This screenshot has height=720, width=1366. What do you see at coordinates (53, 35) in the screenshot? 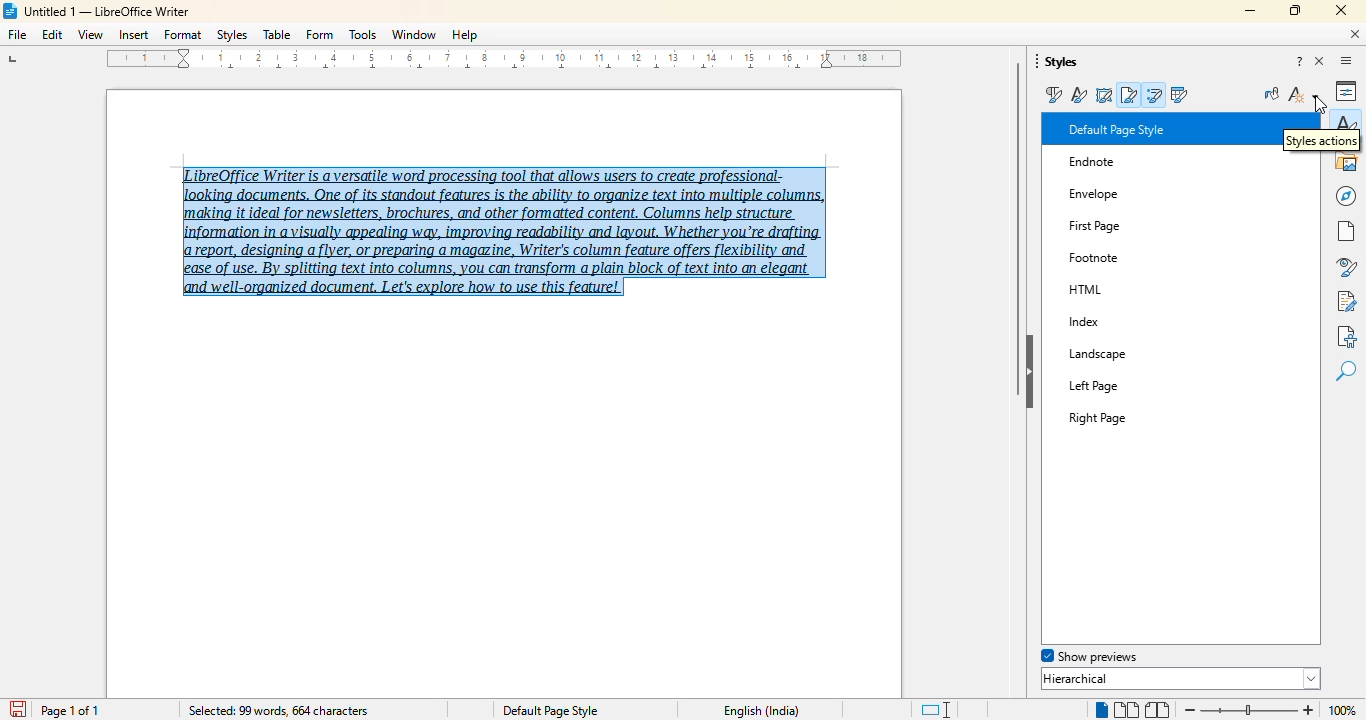
I see `edit` at bounding box center [53, 35].